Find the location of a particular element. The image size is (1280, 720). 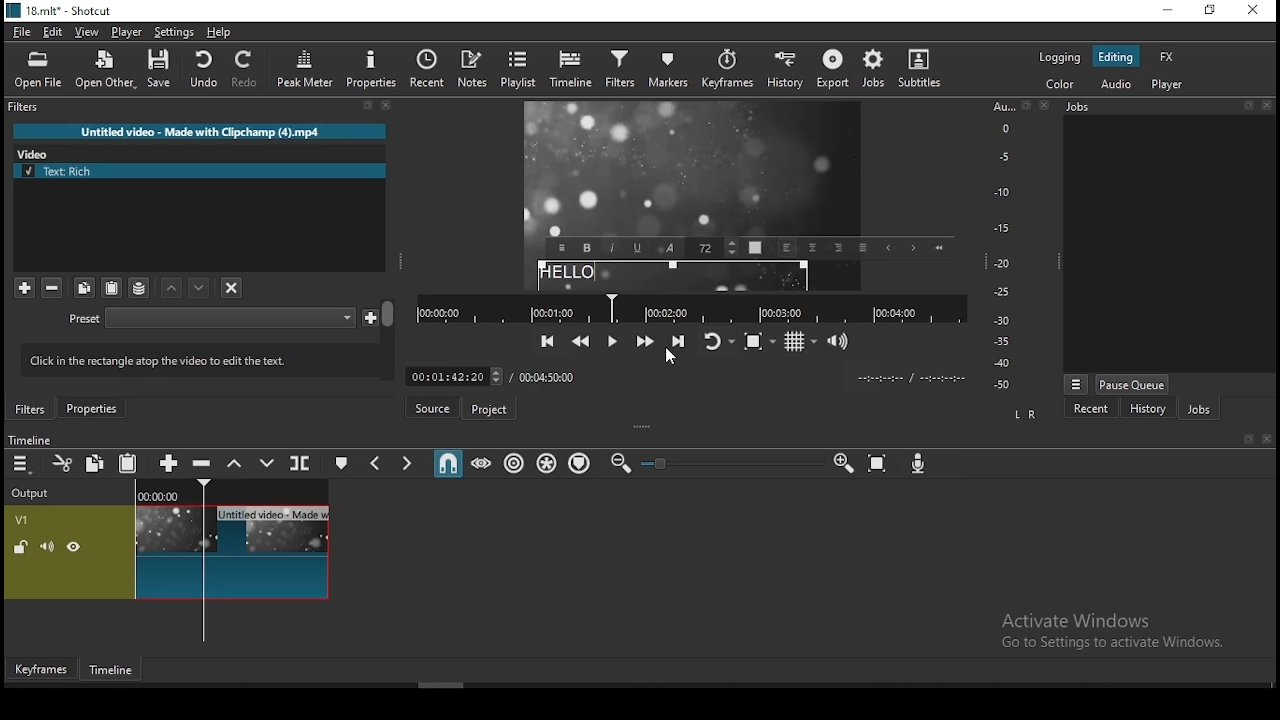

Untitled video - Made with Clipchamp (4).mp4 is located at coordinates (200, 131).